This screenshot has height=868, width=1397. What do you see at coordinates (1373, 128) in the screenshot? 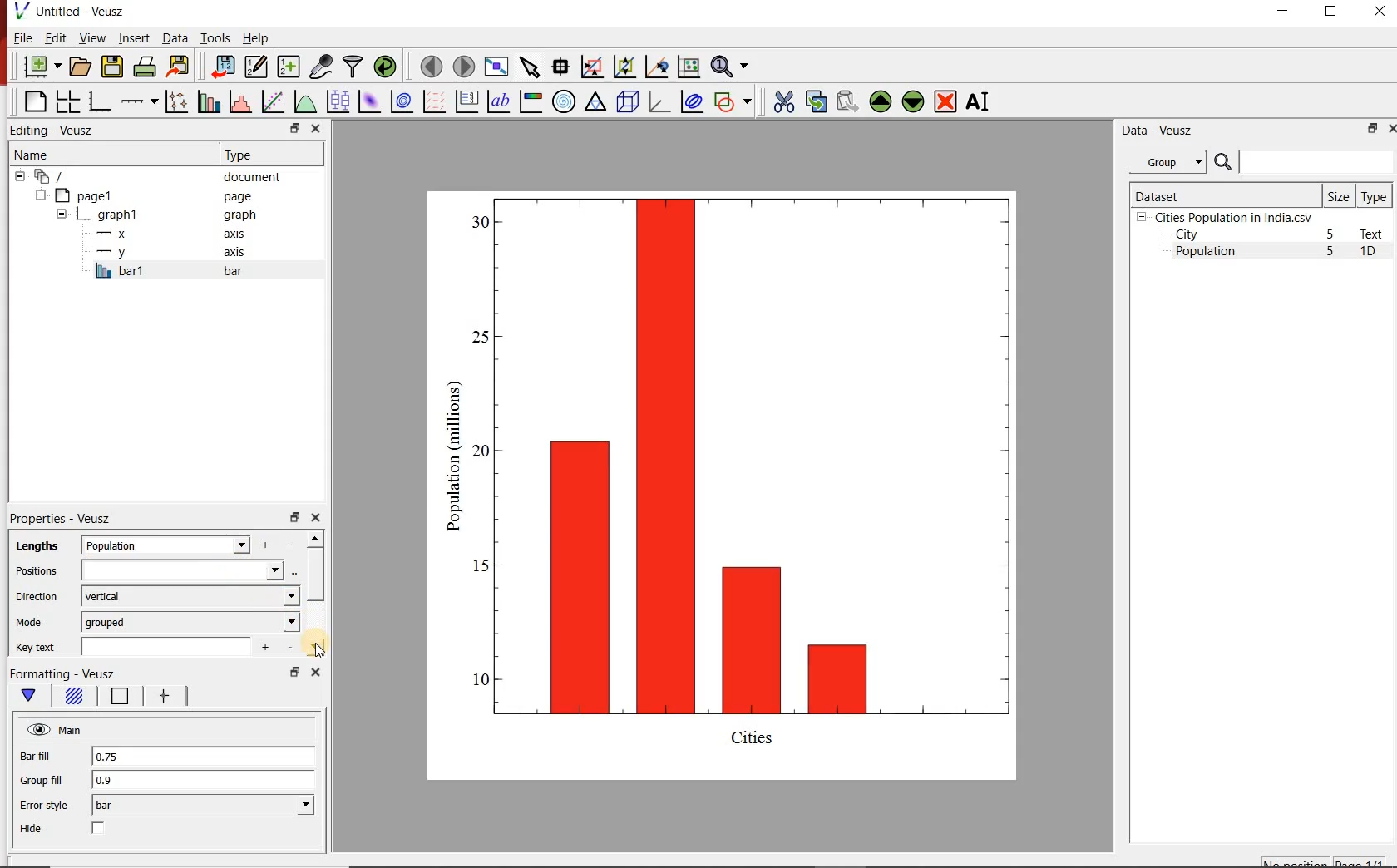
I see `restore` at bounding box center [1373, 128].